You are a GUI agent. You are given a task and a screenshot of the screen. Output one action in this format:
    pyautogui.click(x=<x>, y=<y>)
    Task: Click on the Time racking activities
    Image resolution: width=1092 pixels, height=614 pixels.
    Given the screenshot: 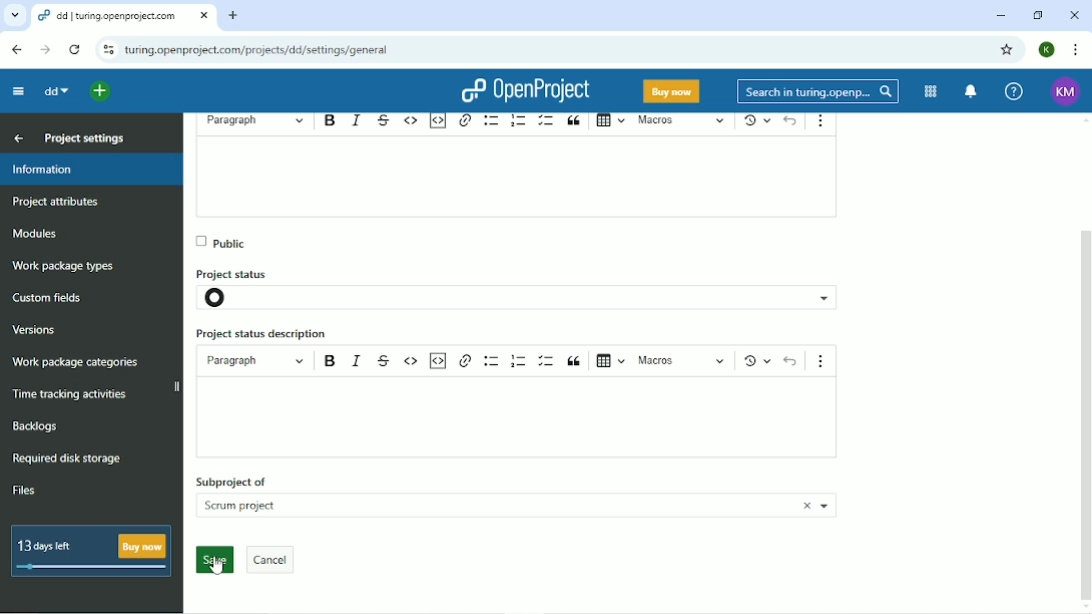 What is the action you would take?
    pyautogui.click(x=72, y=395)
    